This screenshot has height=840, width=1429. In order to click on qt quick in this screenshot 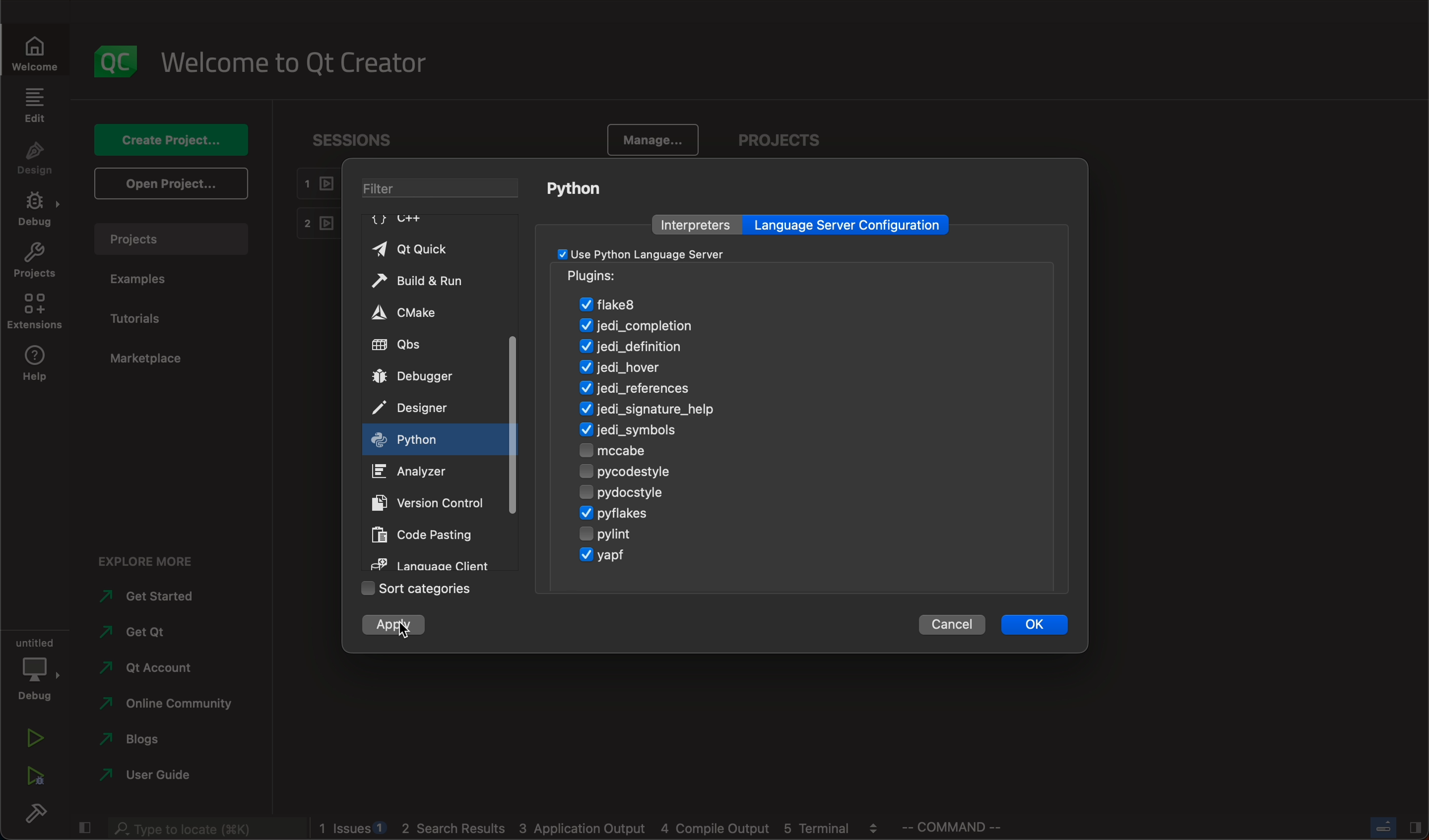, I will do `click(427, 245)`.